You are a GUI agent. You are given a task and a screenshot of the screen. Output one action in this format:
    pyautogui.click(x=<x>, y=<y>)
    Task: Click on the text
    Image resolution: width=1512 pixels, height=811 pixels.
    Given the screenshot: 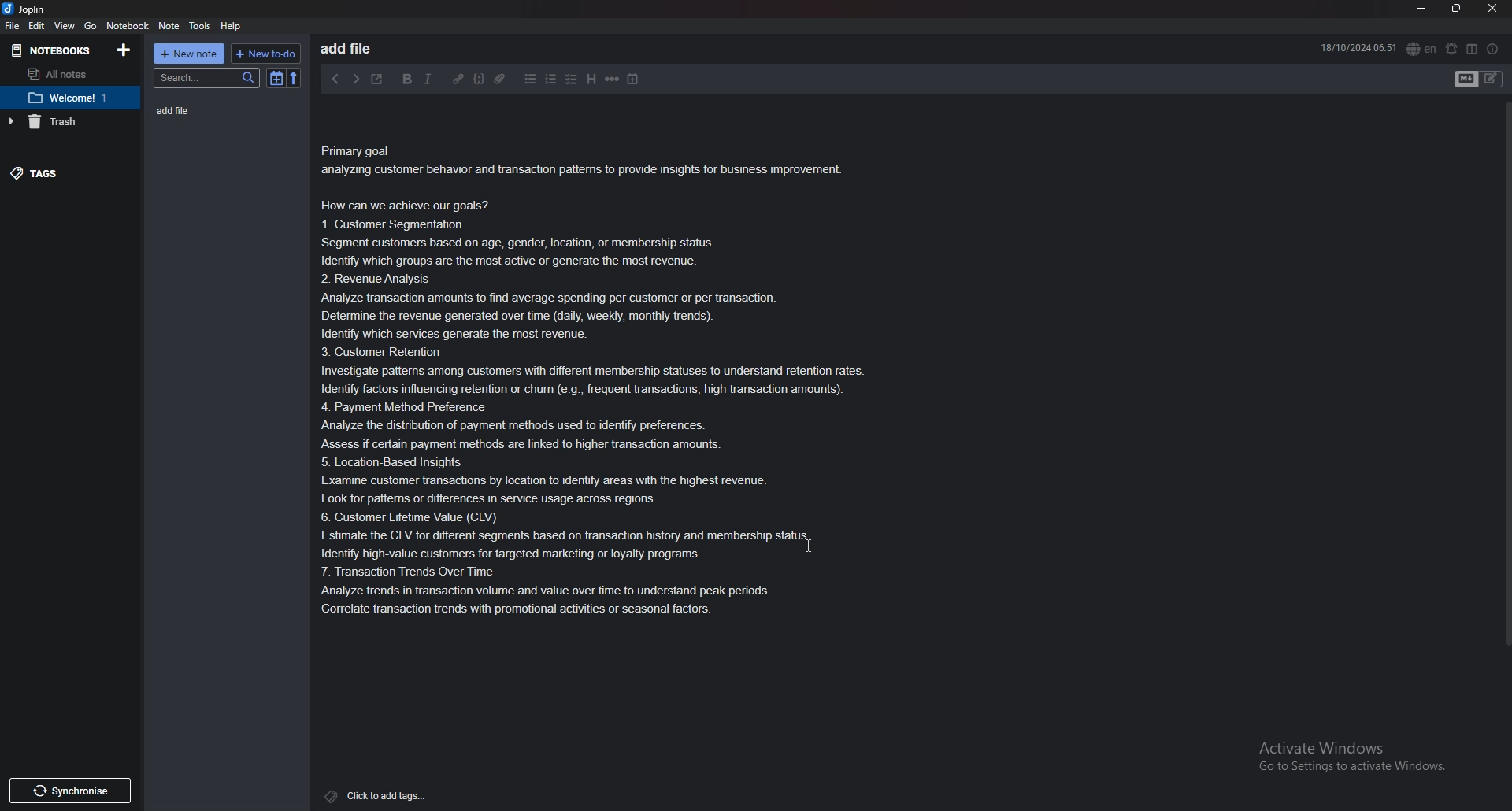 What is the action you would take?
    pyautogui.click(x=603, y=378)
    